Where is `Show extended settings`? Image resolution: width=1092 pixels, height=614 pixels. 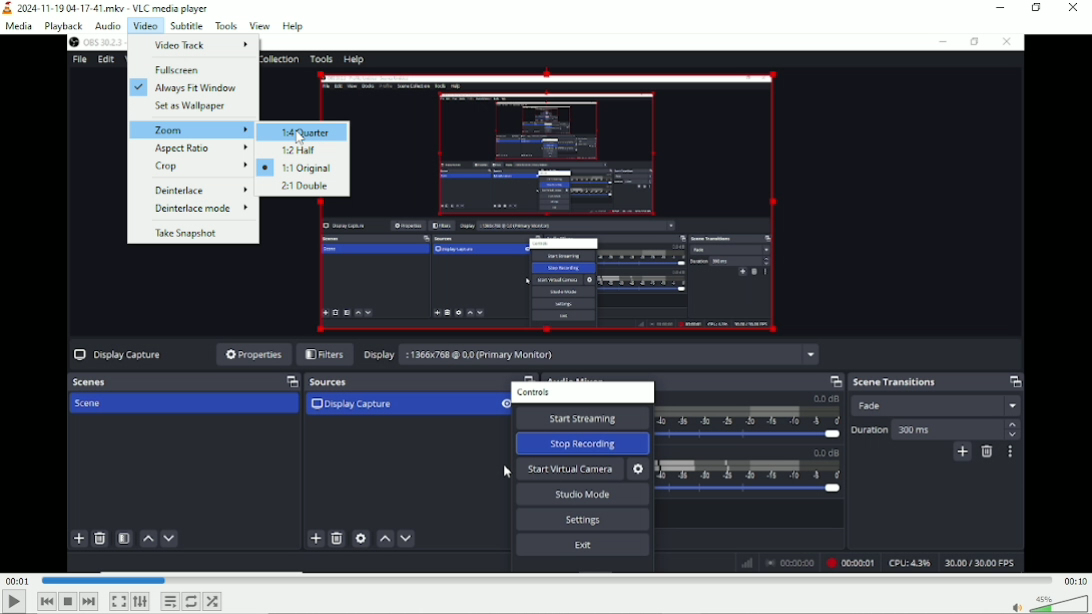
Show extended settings is located at coordinates (140, 602).